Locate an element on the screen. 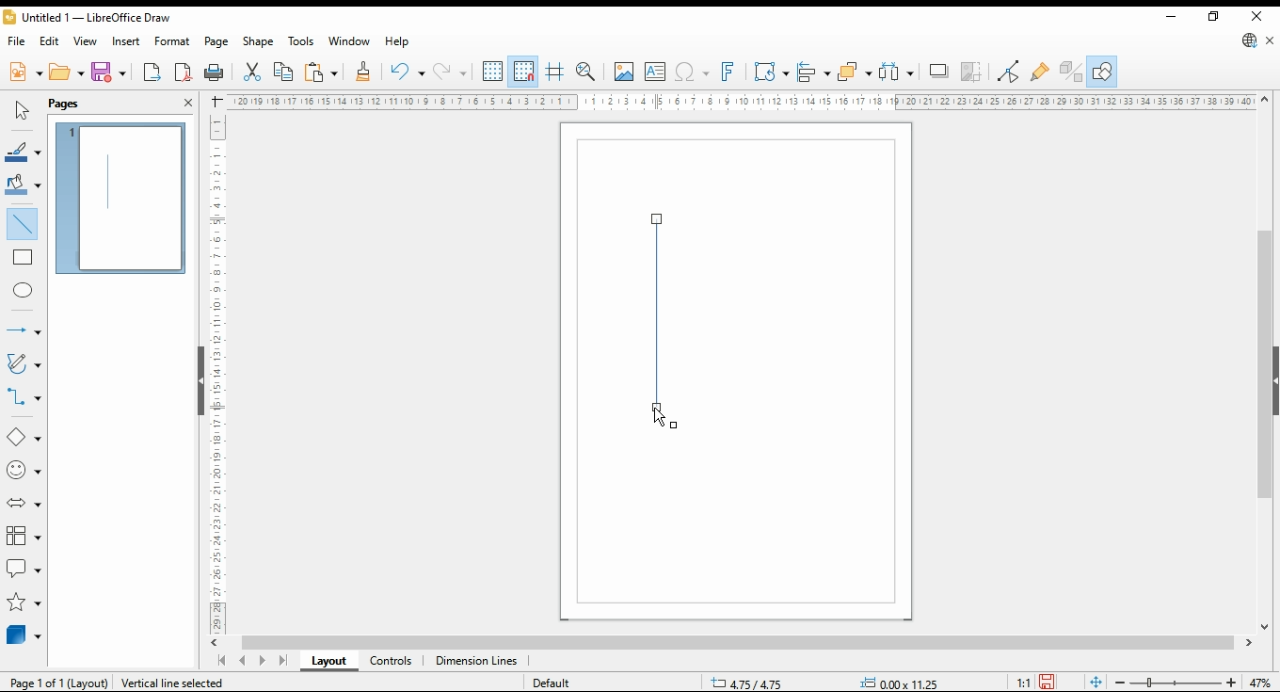  cursor is located at coordinates (660, 418).